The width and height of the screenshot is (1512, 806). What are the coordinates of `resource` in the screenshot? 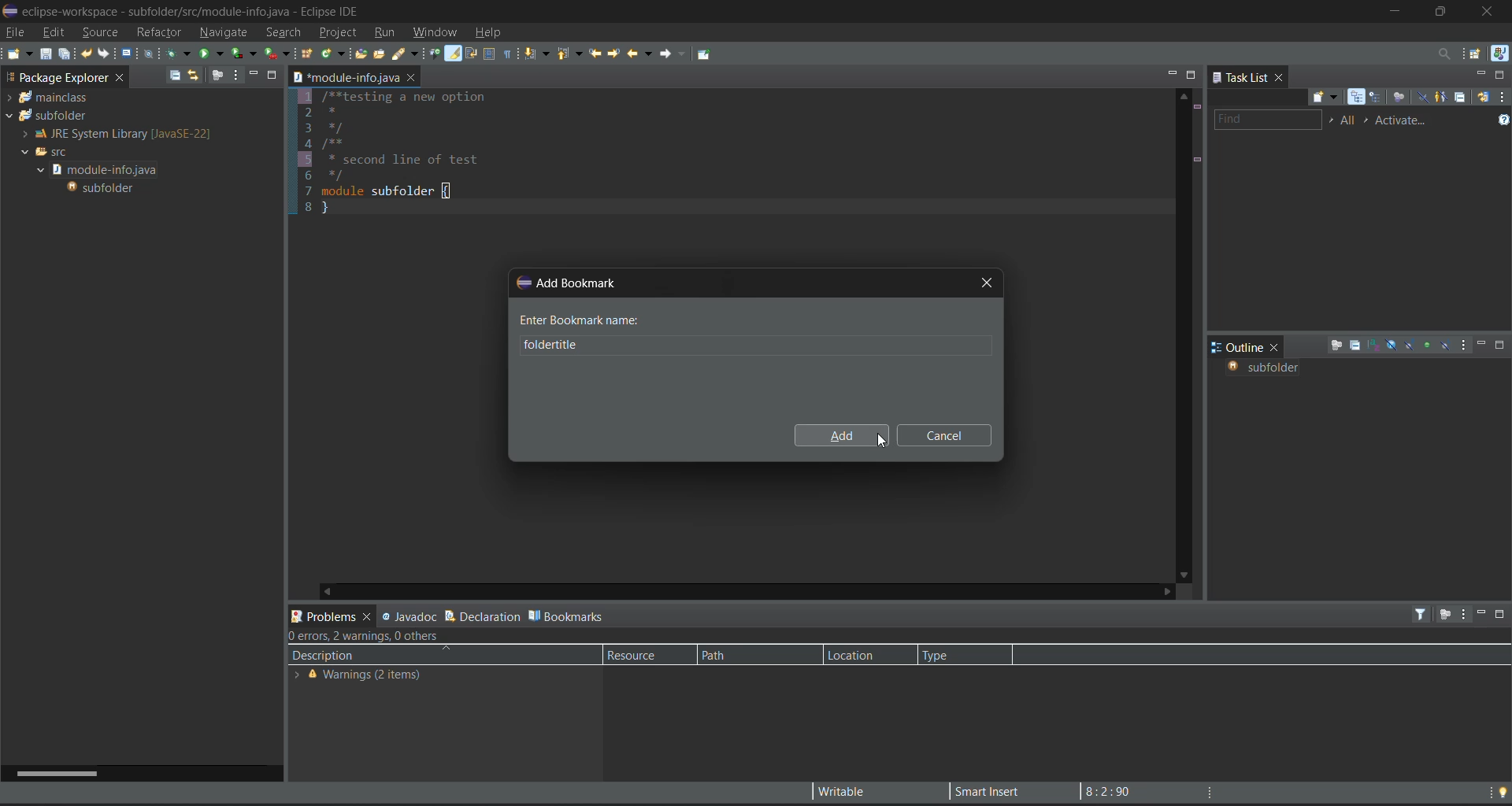 It's located at (639, 655).